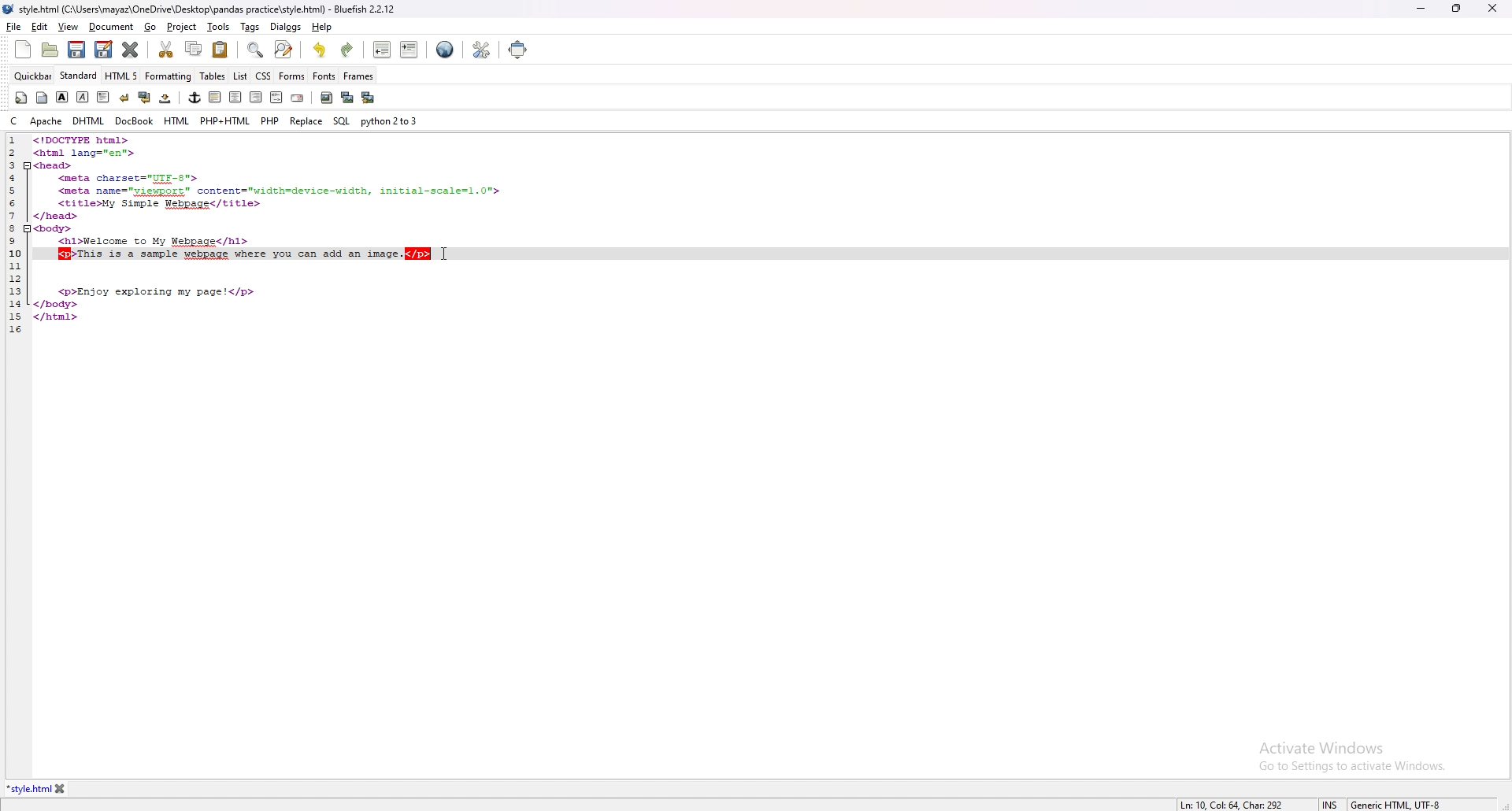 The width and height of the screenshot is (1512, 811). I want to click on right justify, so click(257, 98).